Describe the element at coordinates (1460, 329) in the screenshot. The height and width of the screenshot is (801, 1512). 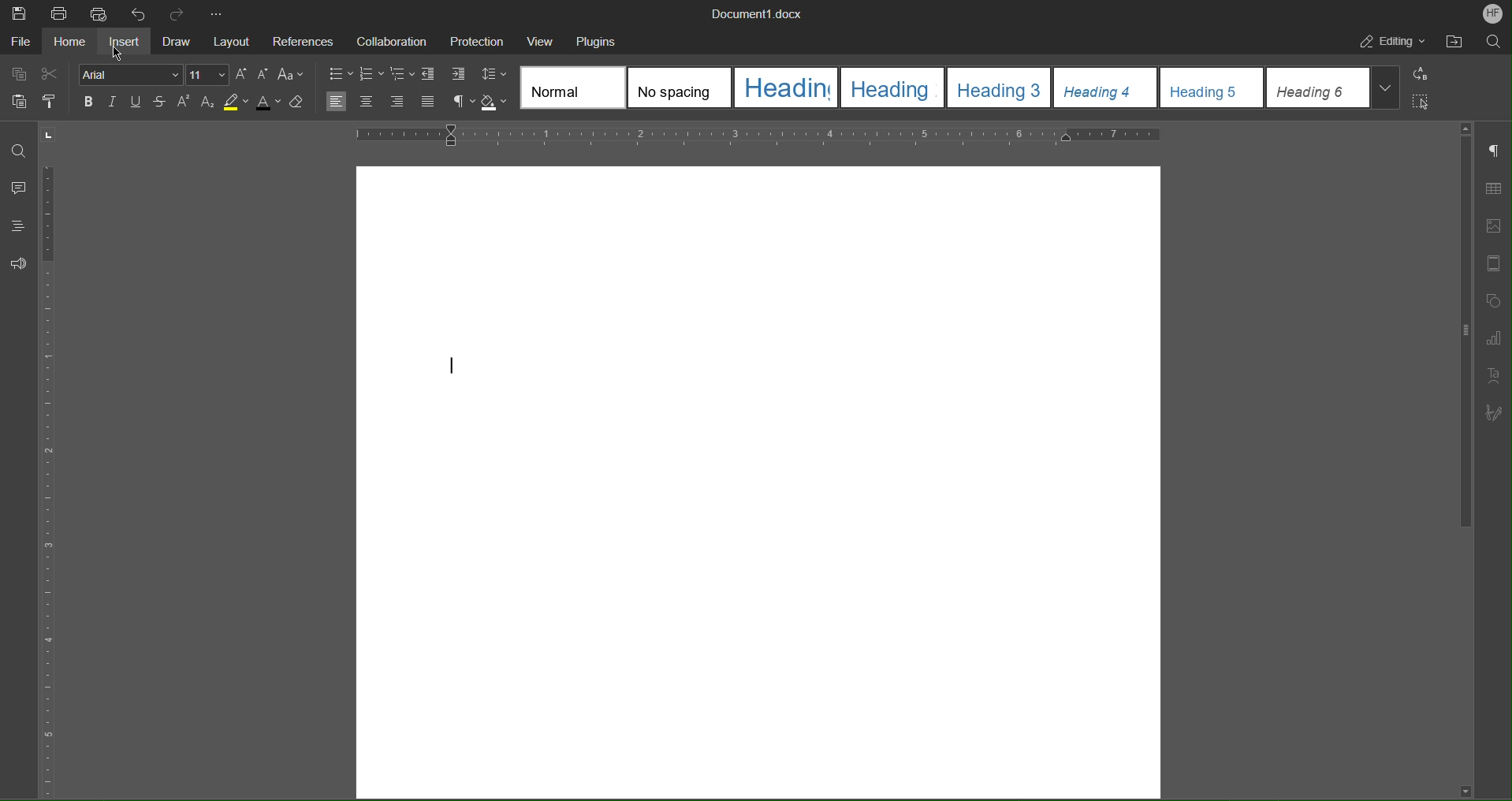
I see `vertical scroll bar` at that location.